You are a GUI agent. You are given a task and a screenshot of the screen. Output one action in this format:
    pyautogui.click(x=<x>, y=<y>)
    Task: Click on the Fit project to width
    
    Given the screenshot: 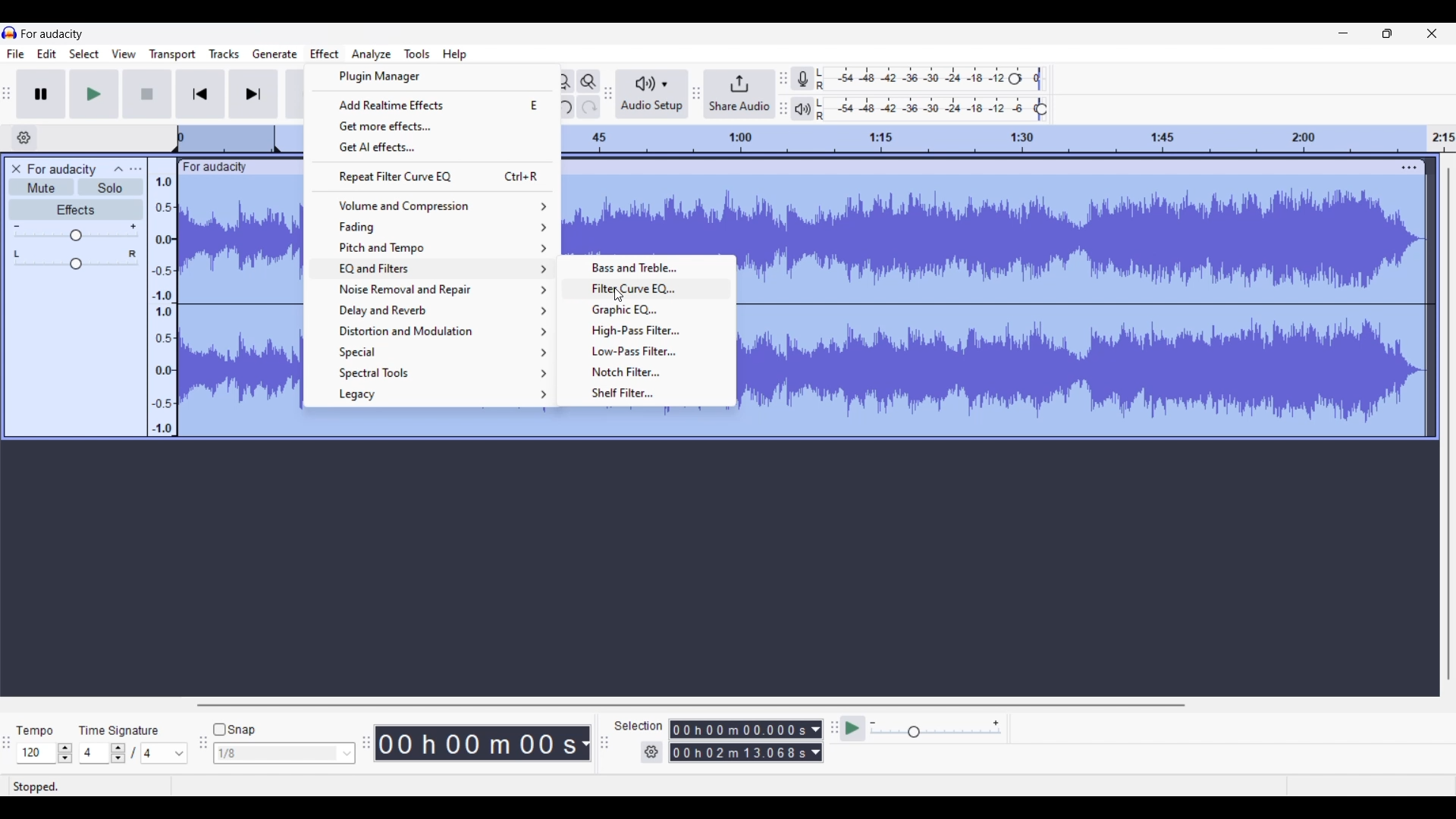 What is the action you would take?
    pyautogui.click(x=563, y=82)
    